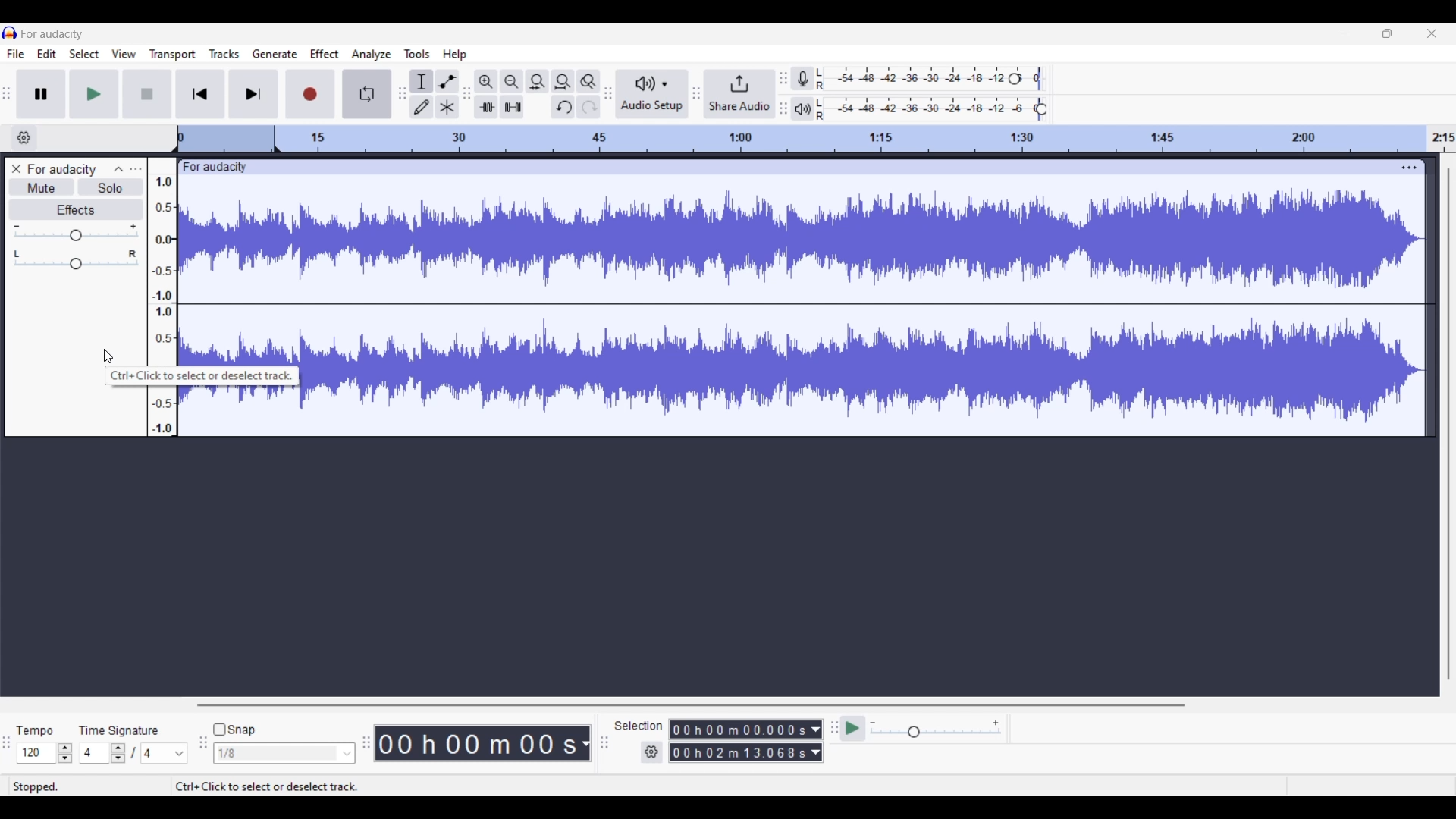  I want to click on Solo, so click(111, 187).